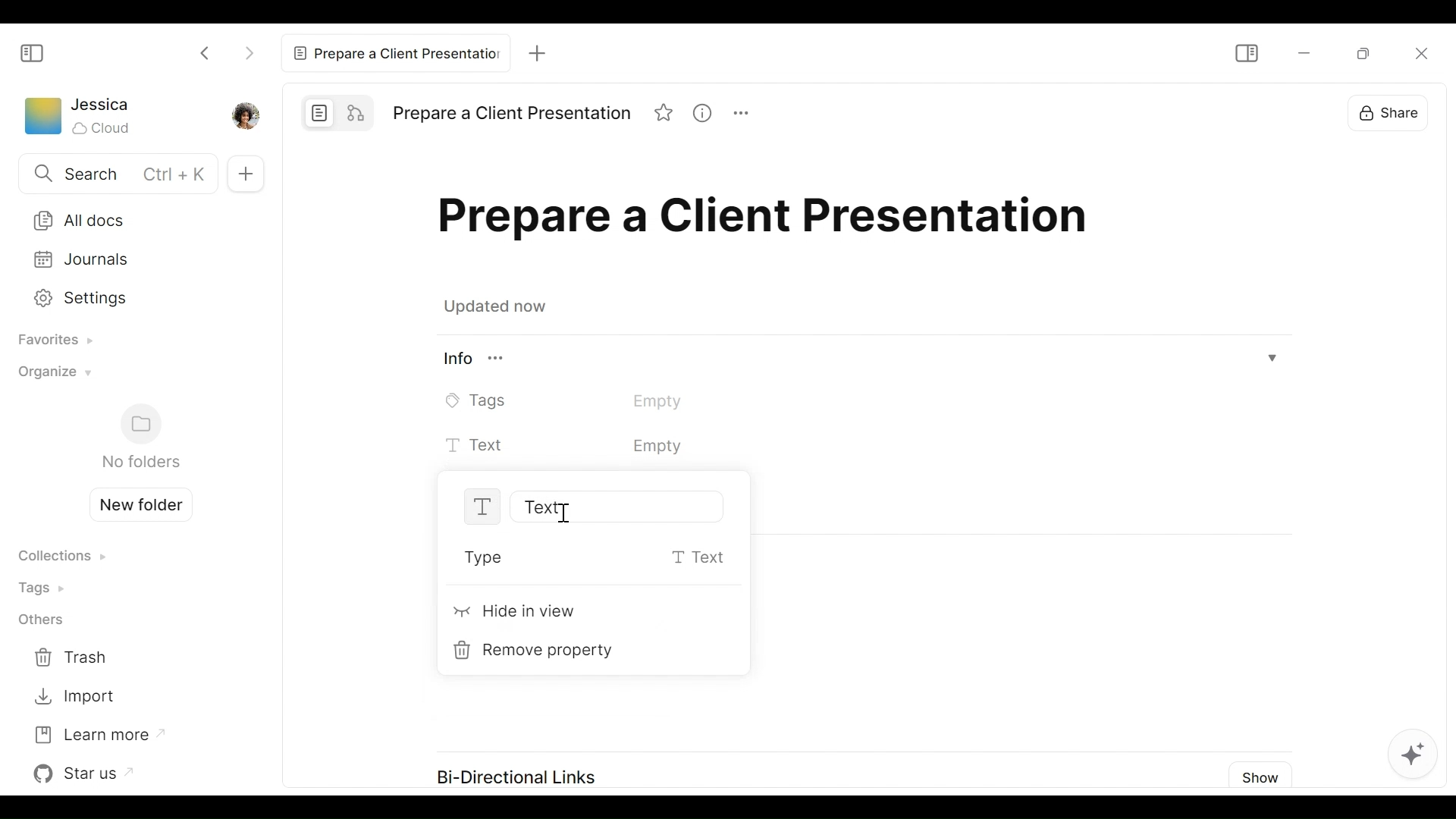  Describe the element at coordinates (1384, 115) in the screenshot. I see `Share` at that location.